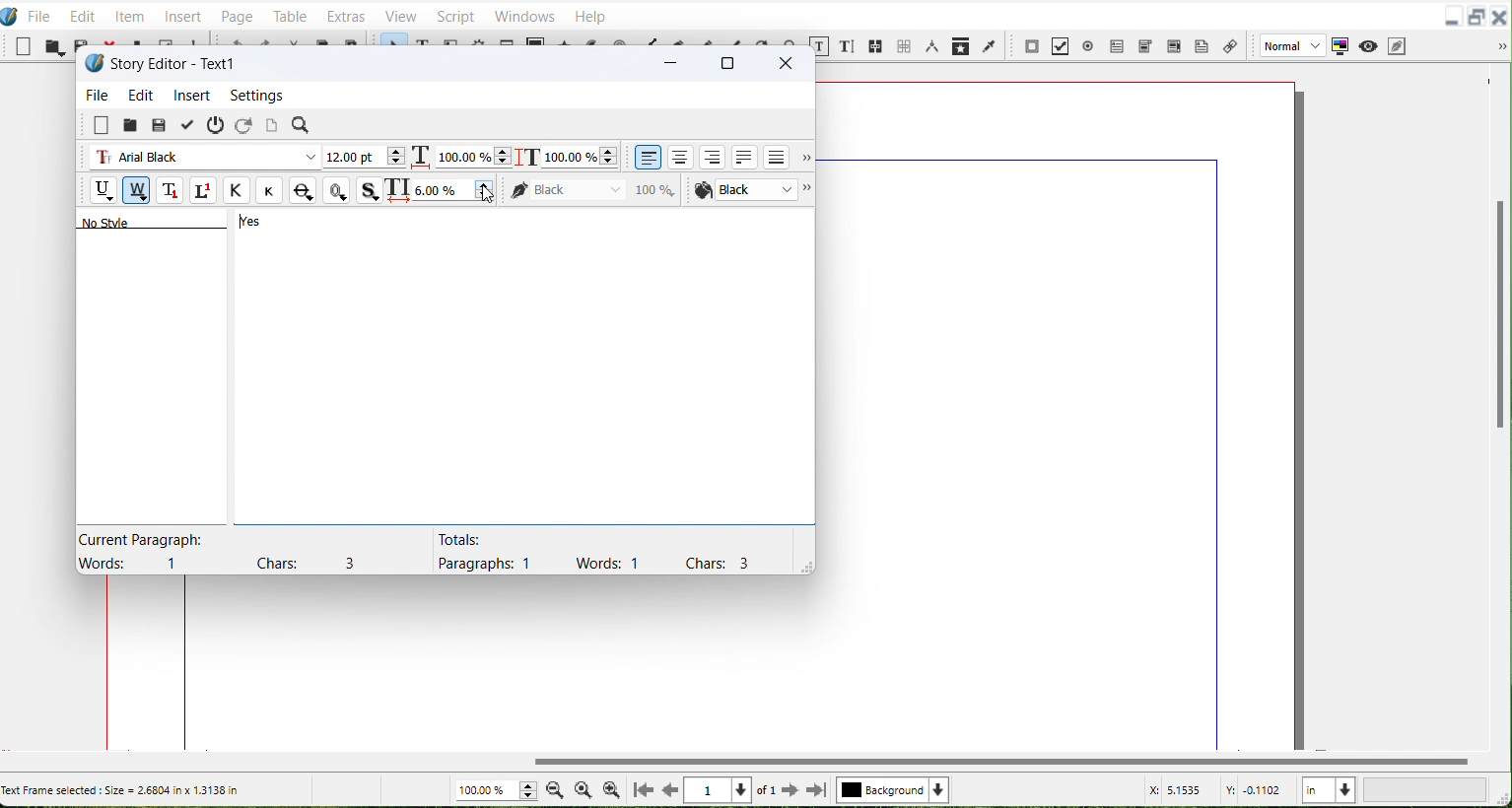 The width and height of the screenshot is (1512, 808). Describe the element at coordinates (1146, 44) in the screenshot. I see `PDF Combo box` at that location.